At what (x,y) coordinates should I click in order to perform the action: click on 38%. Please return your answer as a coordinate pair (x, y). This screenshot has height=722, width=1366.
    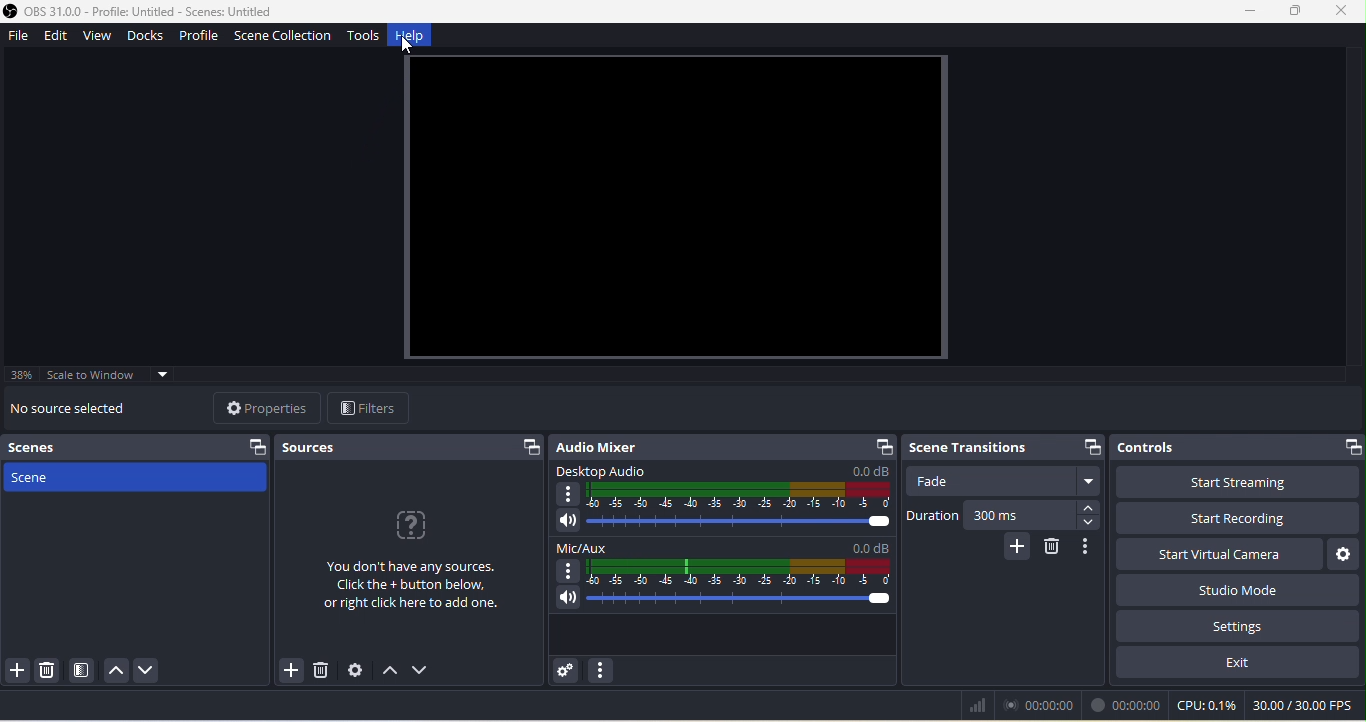
    Looking at the image, I should click on (23, 375).